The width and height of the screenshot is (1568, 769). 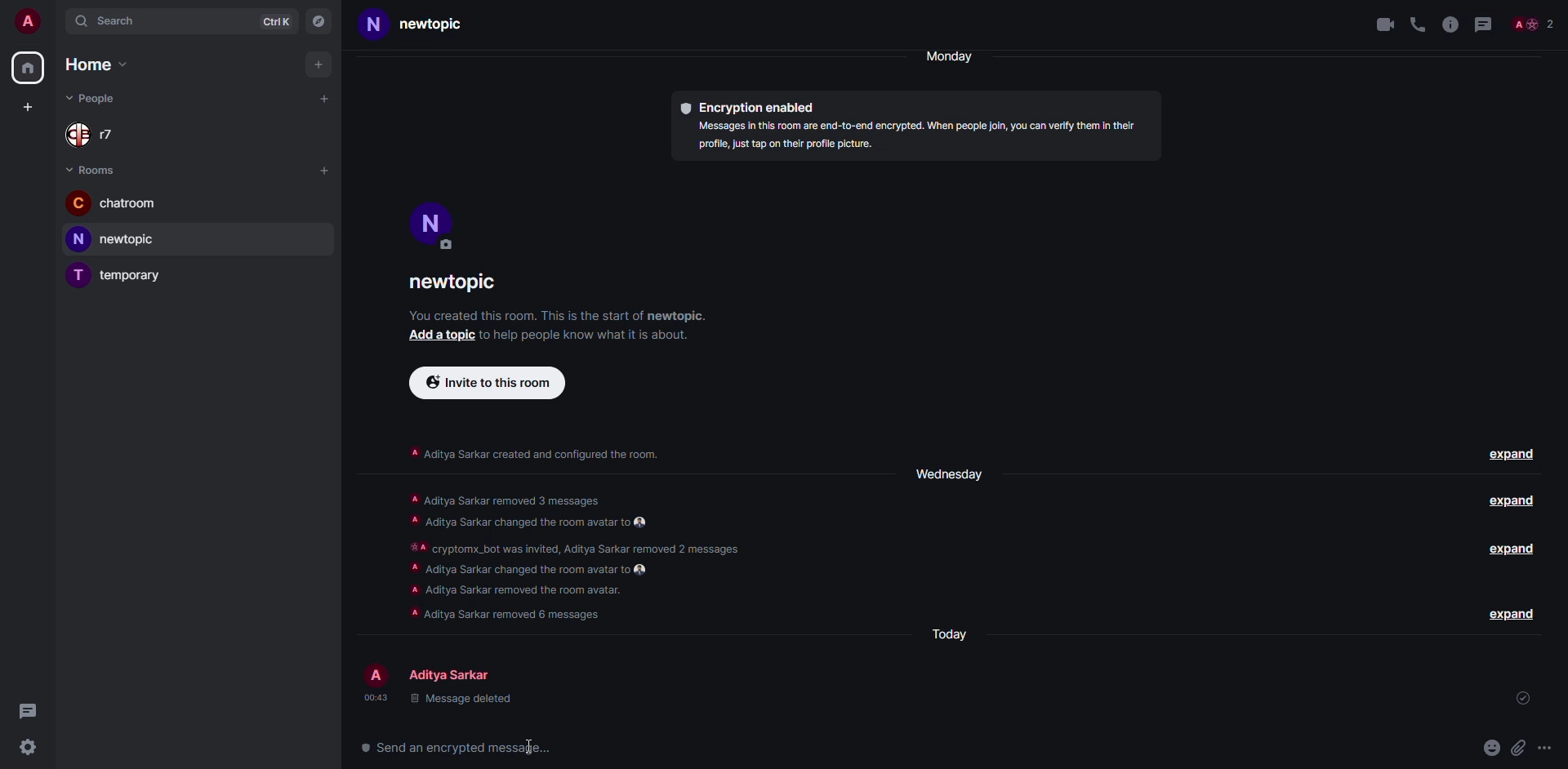 What do you see at coordinates (1414, 22) in the screenshot?
I see `voice` at bounding box center [1414, 22].